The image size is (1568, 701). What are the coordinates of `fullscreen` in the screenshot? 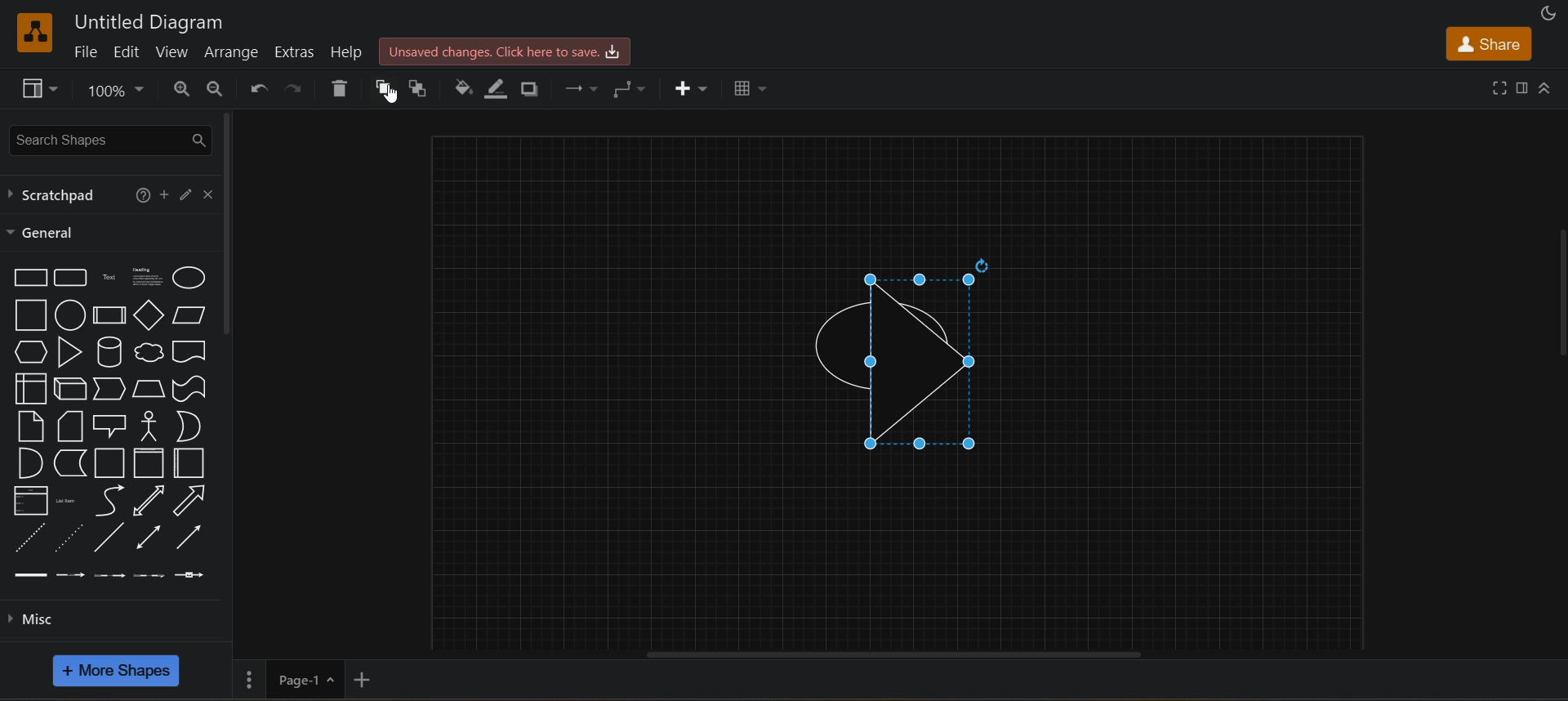 It's located at (1499, 87).